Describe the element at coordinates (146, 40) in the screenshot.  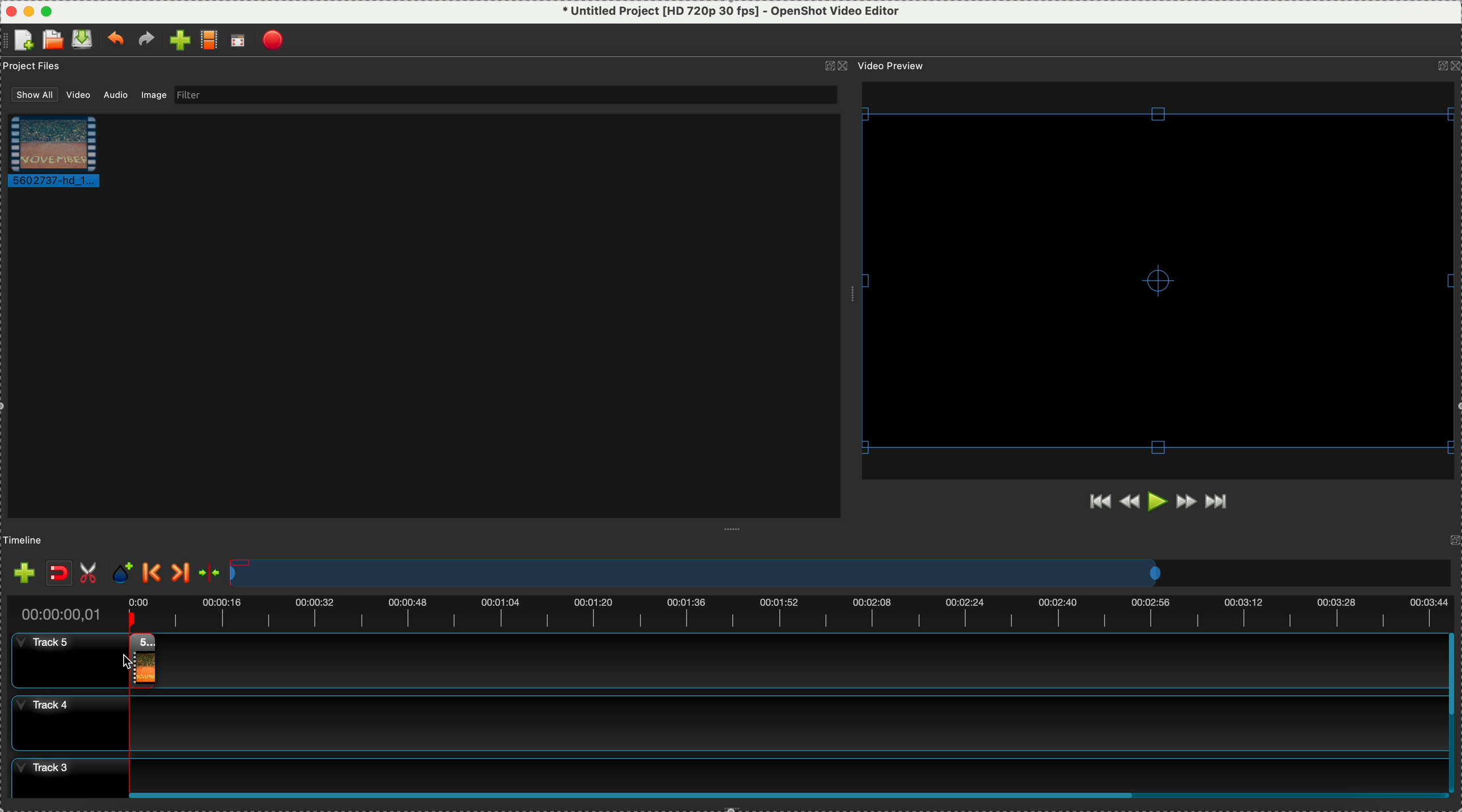
I see `redo` at that location.